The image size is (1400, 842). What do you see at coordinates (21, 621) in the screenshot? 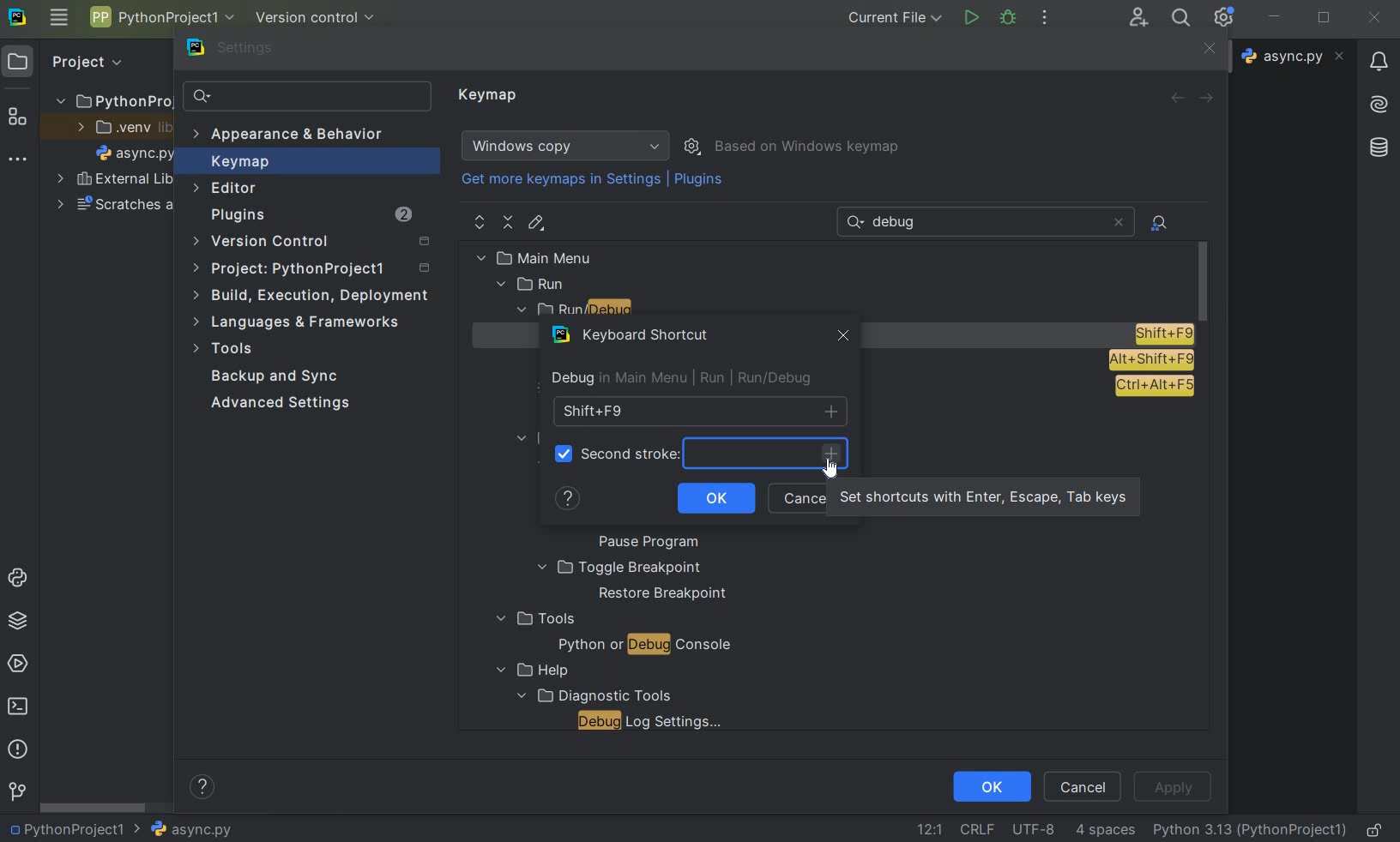
I see `python packages` at bounding box center [21, 621].